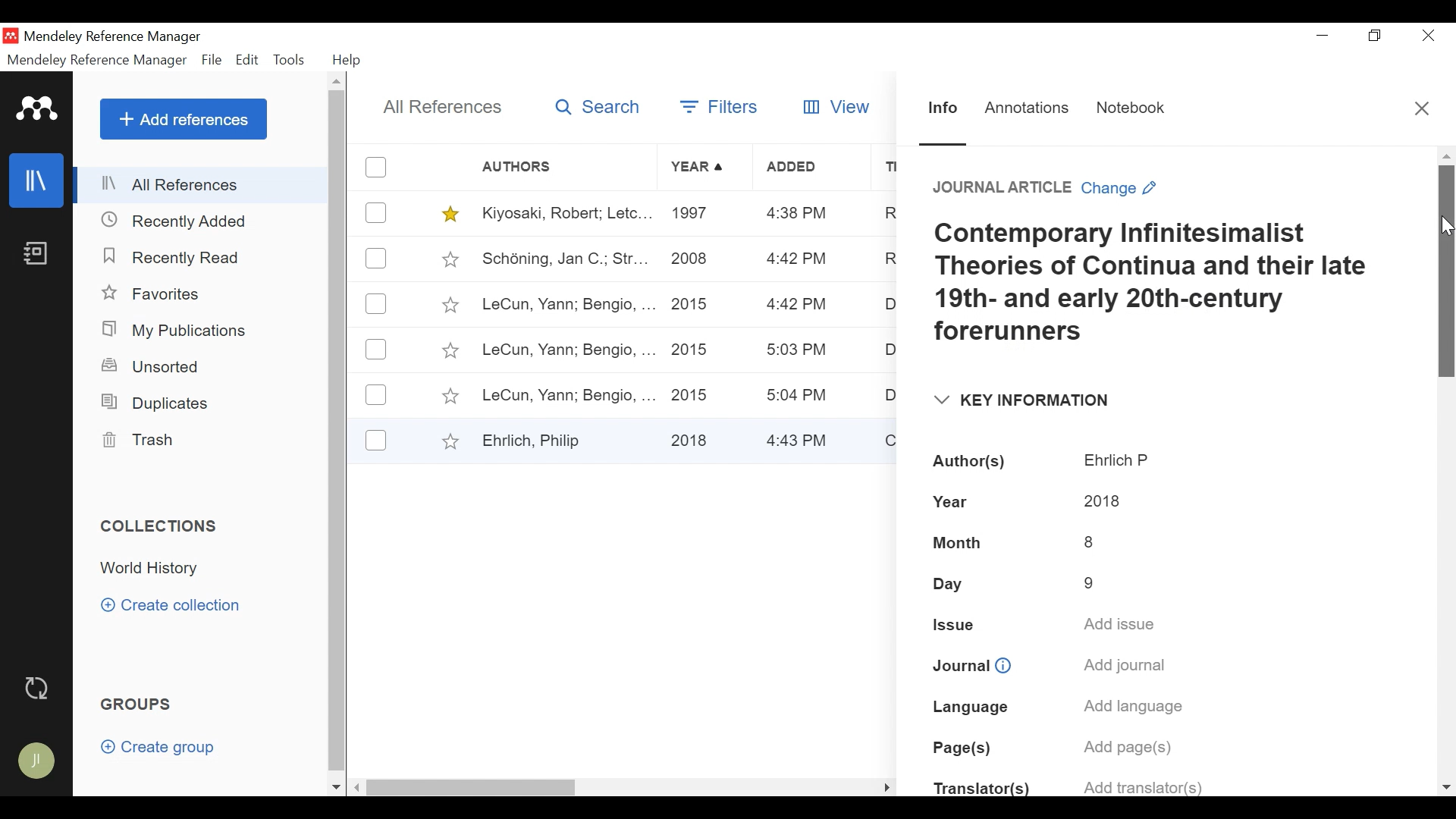 Image resolution: width=1456 pixels, height=819 pixels. I want to click on Day, so click(959, 584).